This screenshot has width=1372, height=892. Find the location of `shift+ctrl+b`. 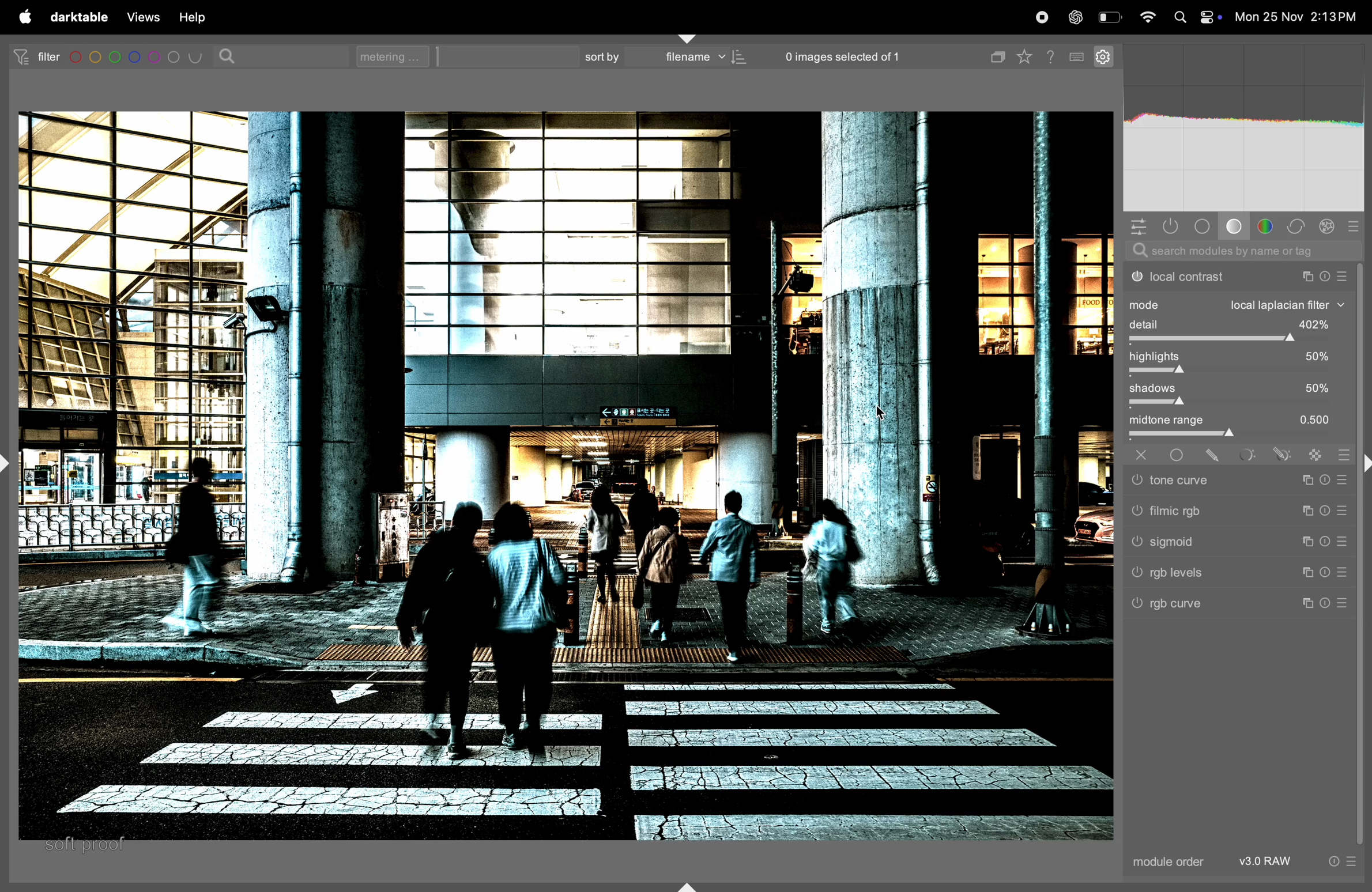

shift+ctrl+b is located at coordinates (687, 886).